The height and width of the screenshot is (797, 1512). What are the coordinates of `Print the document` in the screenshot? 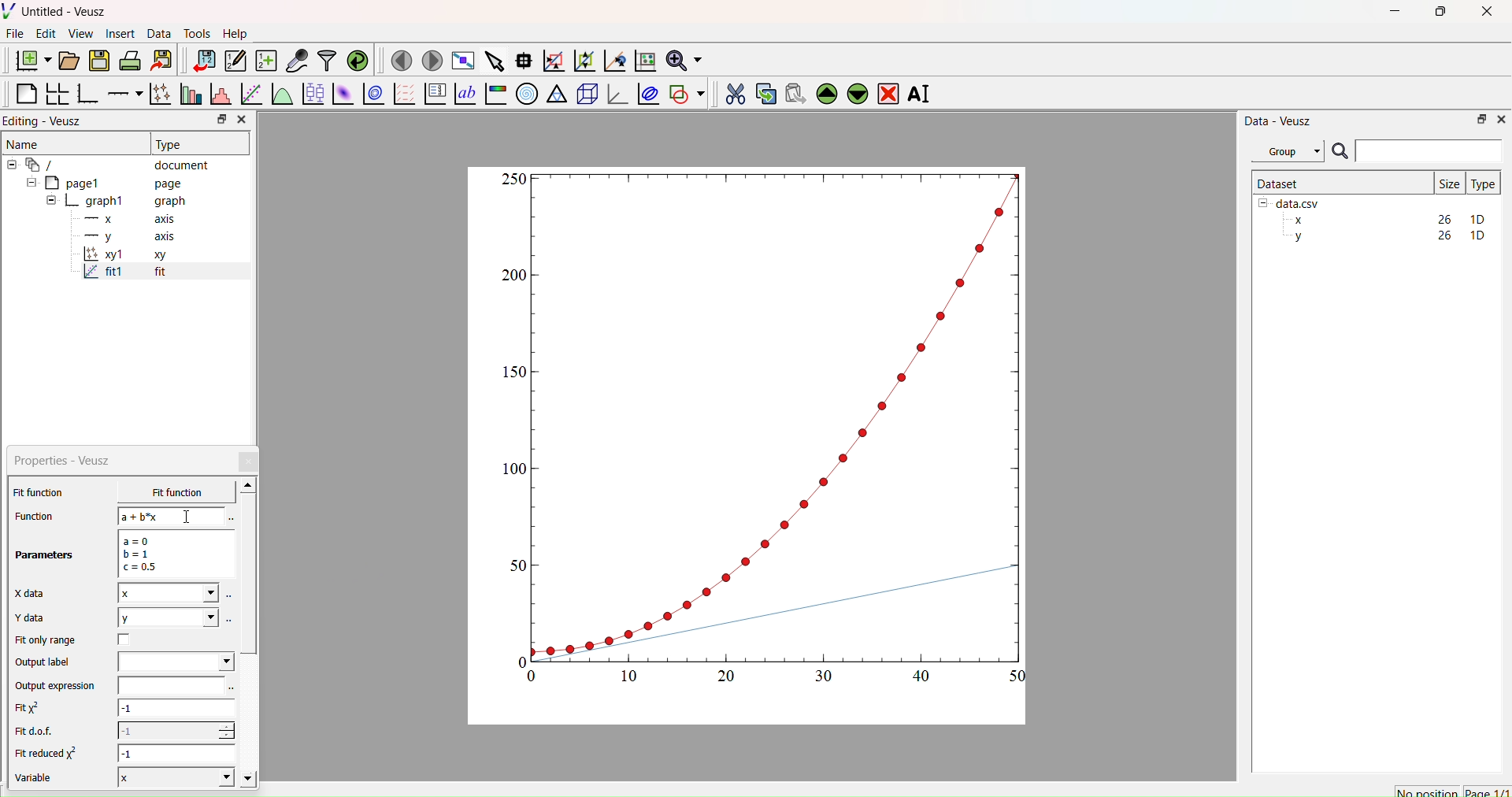 It's located at (130, 59).